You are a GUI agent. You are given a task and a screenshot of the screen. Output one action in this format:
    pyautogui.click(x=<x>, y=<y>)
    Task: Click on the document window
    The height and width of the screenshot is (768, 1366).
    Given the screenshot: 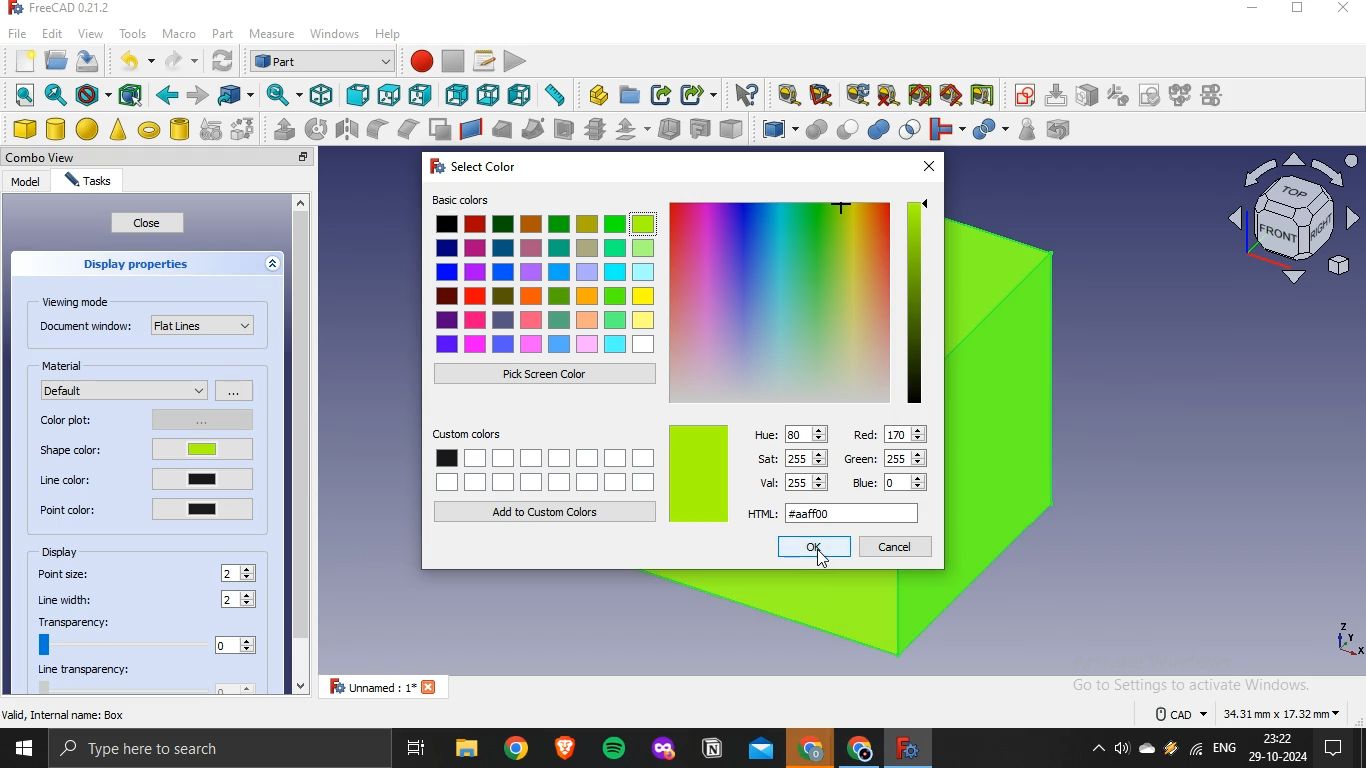 What is the action you would take?
    pyautogui.click(x=147, y=324)
    